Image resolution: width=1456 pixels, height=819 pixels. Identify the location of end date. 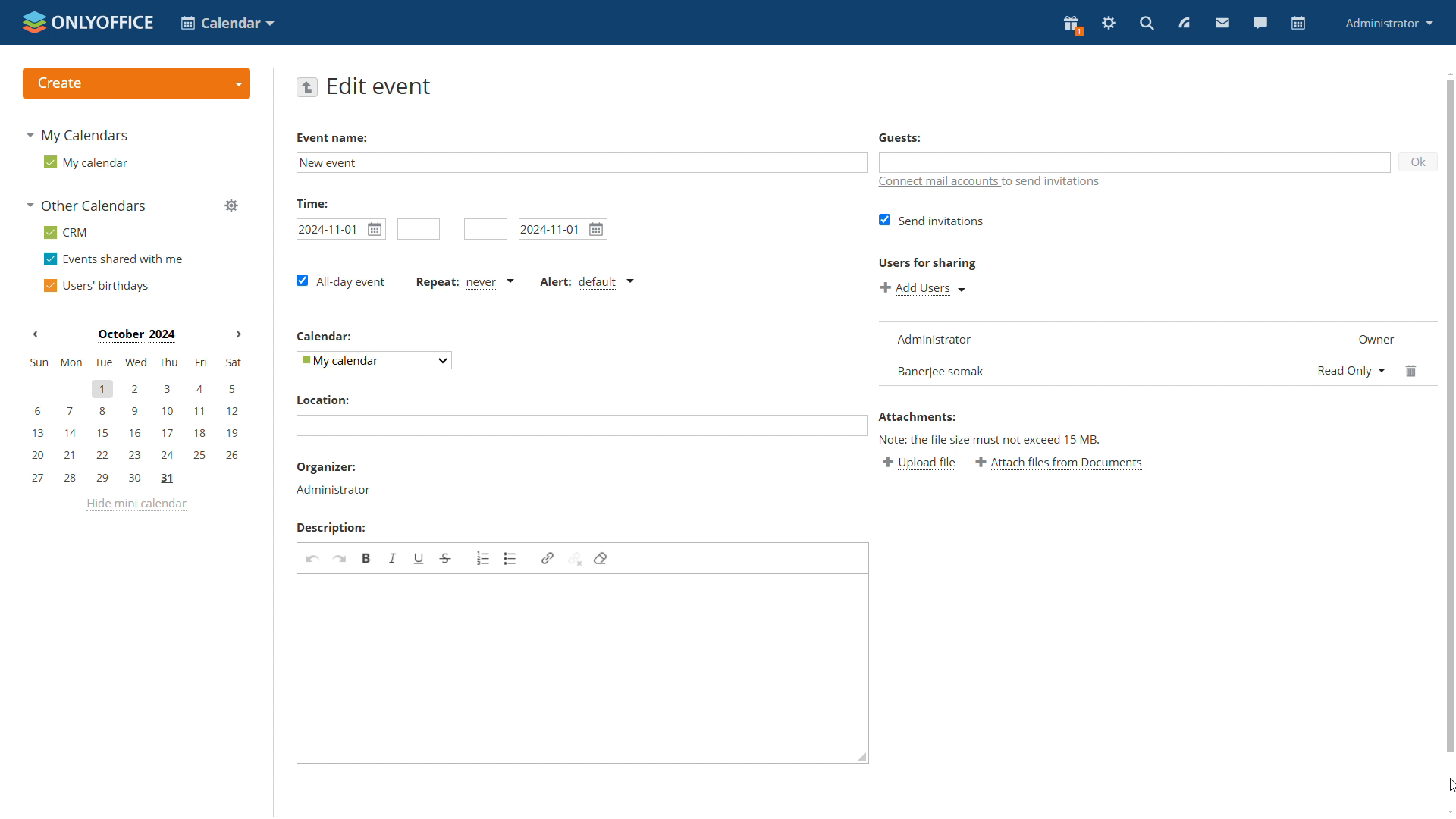
(487, 231).